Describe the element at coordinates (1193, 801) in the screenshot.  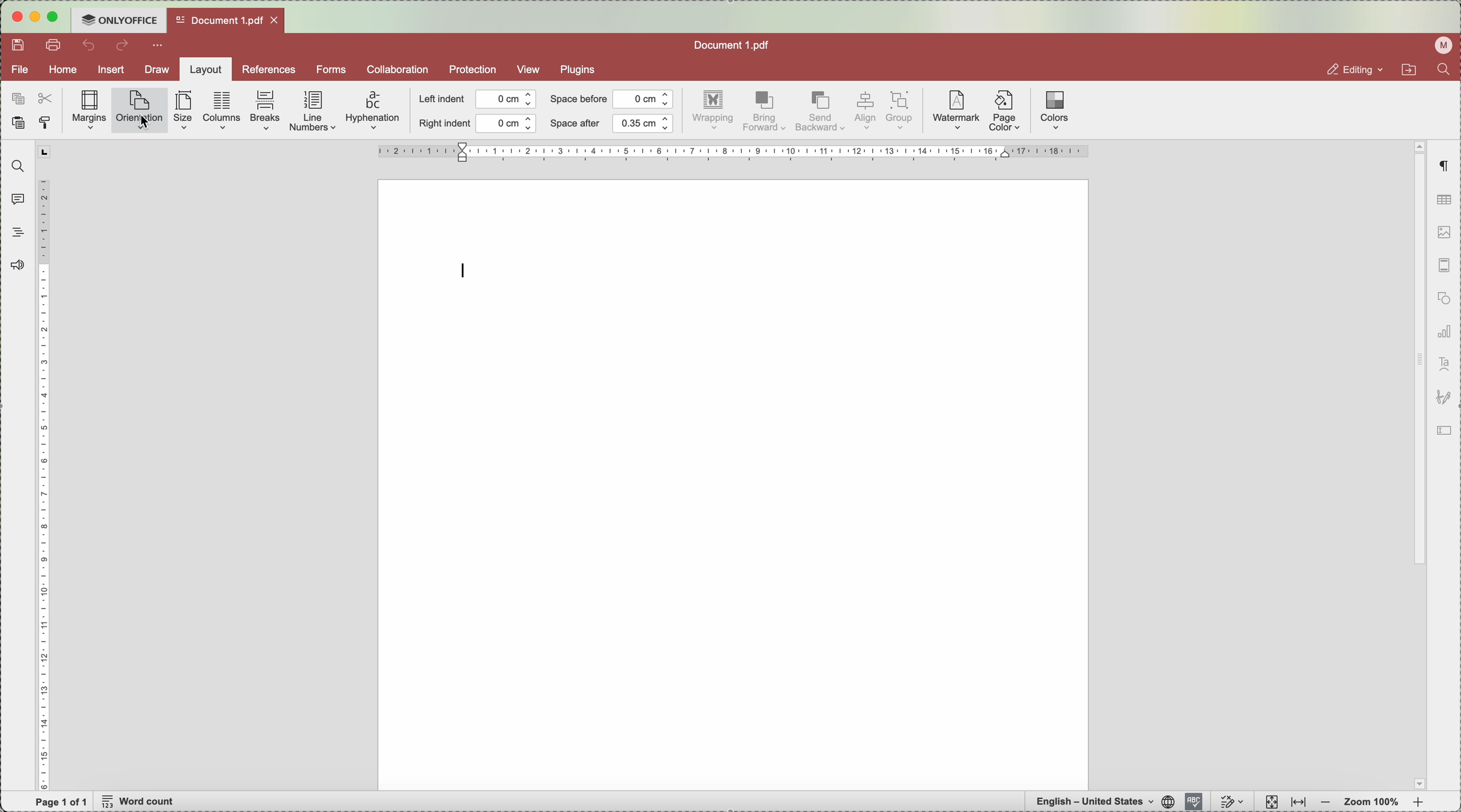
I see `spelling activated` at that location.